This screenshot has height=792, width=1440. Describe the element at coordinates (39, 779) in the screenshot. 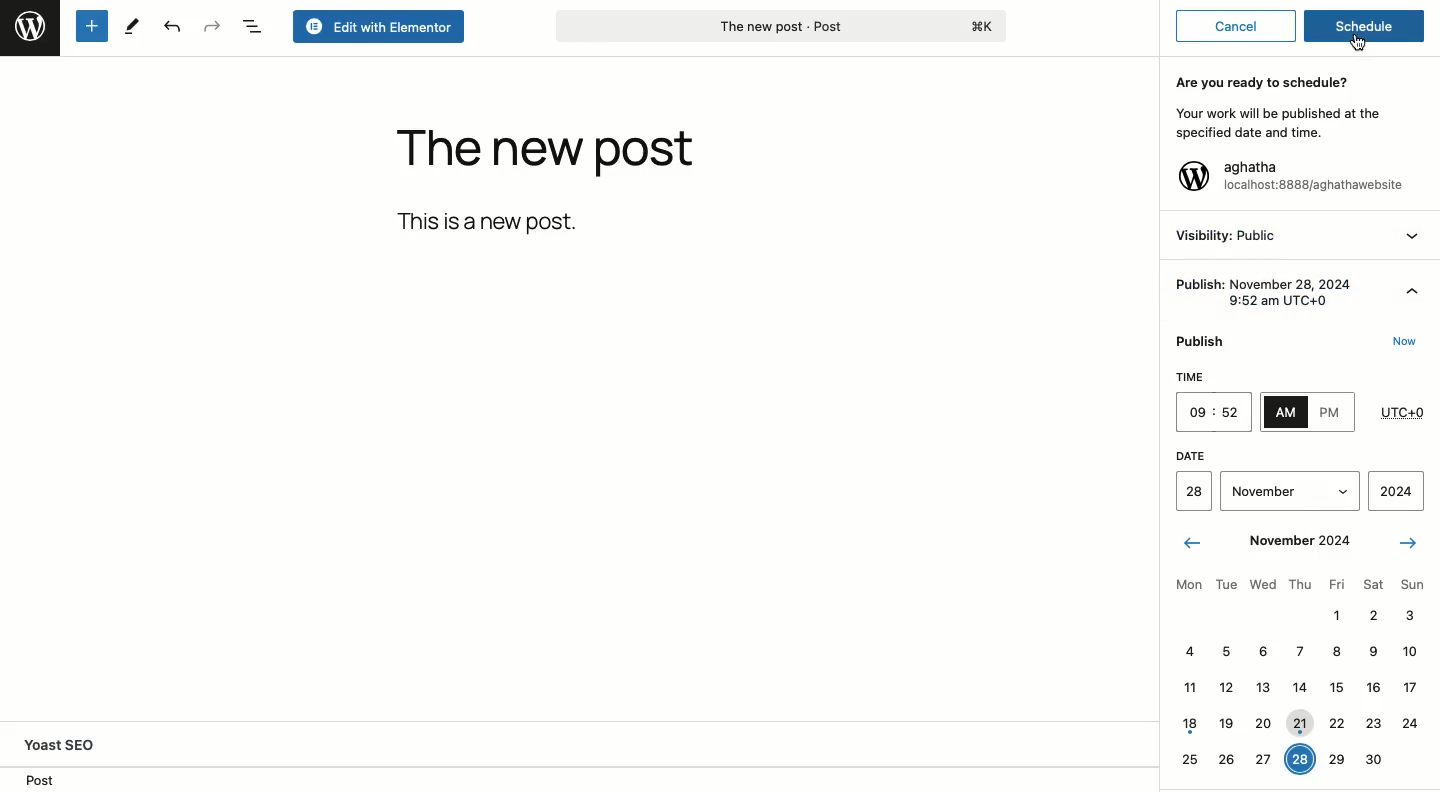

I see `Post` at that location.